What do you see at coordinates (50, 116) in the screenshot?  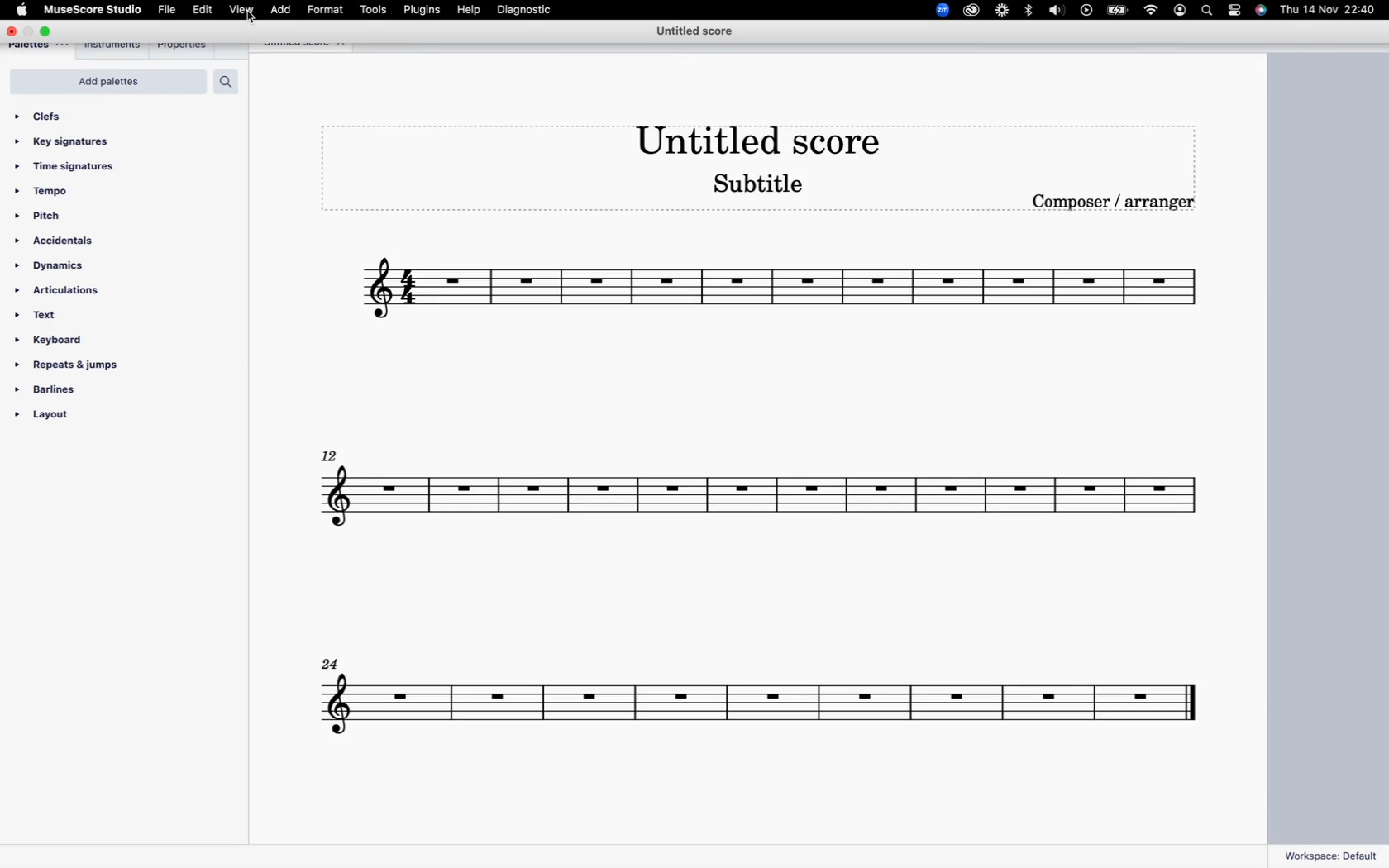 I see `clefs` at bounding box center [50, 116].